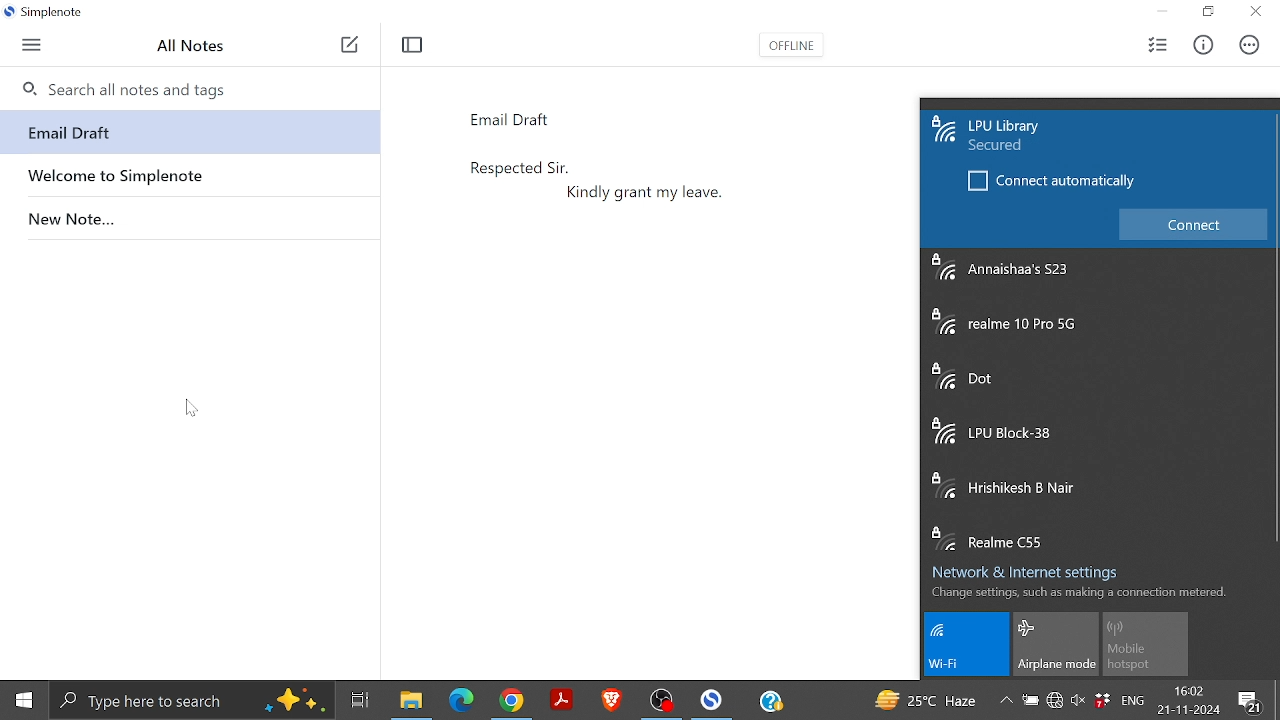  What do you see at coordinates (1056, 644) in the screenshot?
I see `Airplane mode` at bounding box center [1056, 644].